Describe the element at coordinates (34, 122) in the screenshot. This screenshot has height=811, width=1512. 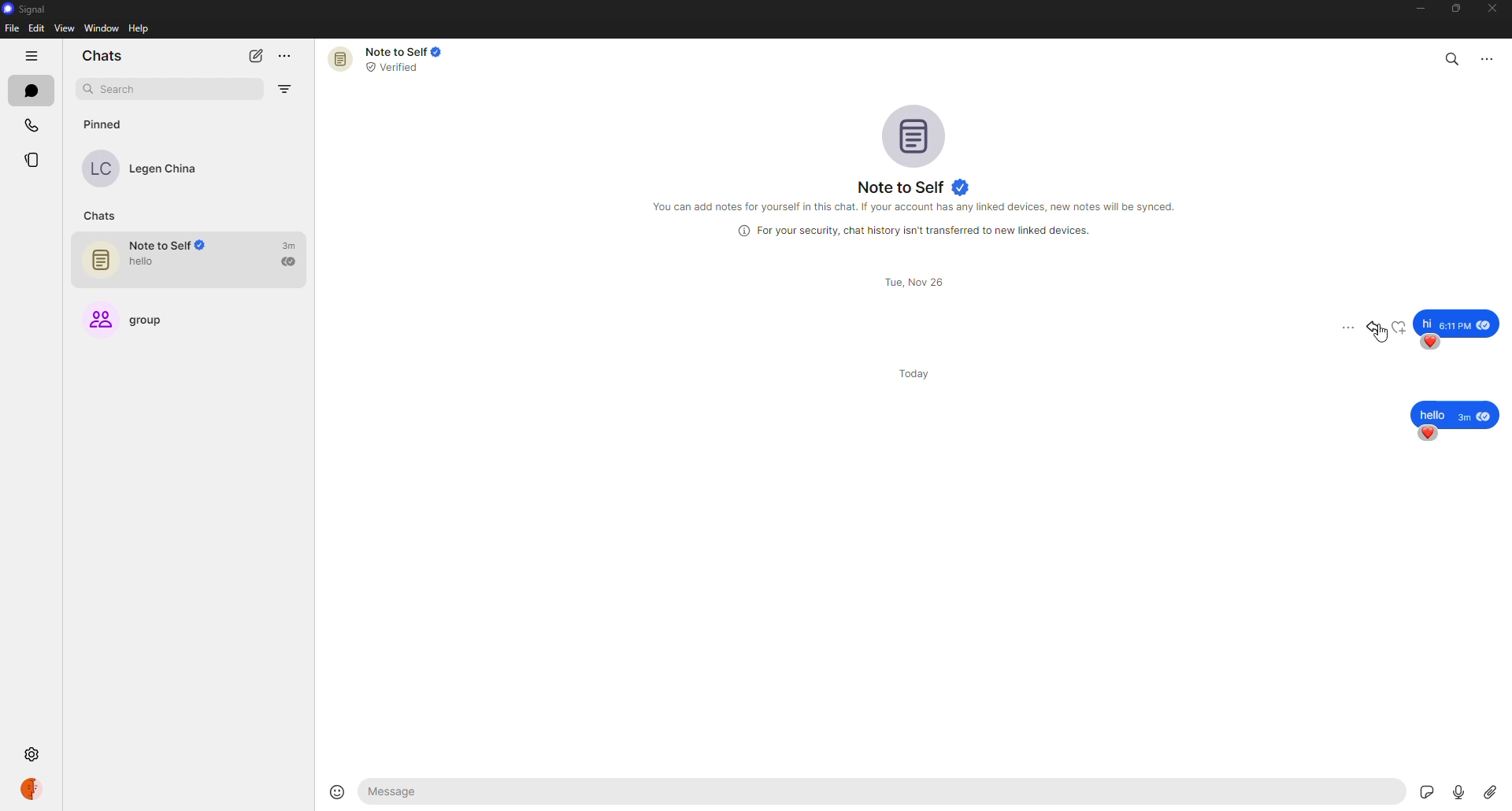
I see `calls` at that location.